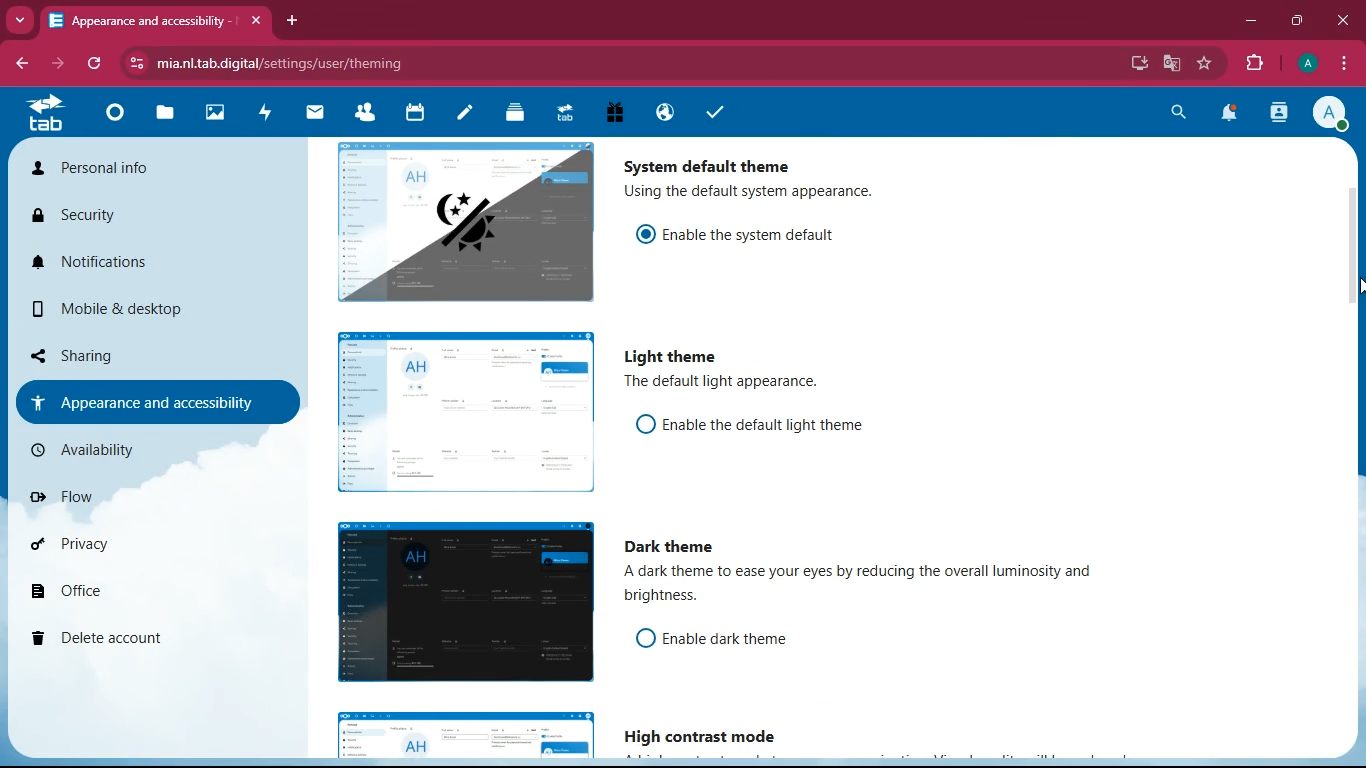 The height and width of the screenshot is (768, 1366). I want to click on on, so click(647, 233).